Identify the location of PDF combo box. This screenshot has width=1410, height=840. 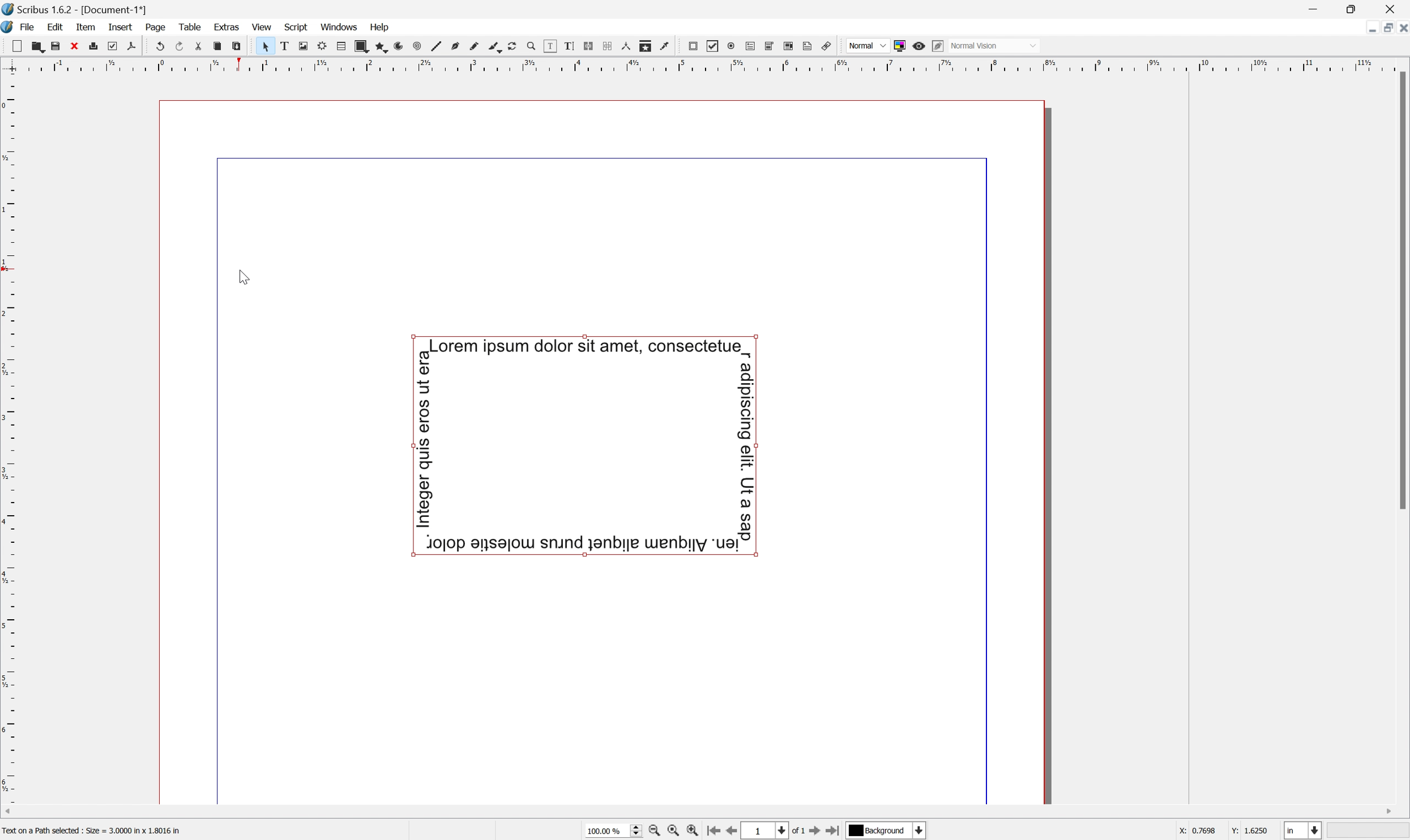
(768, 44).